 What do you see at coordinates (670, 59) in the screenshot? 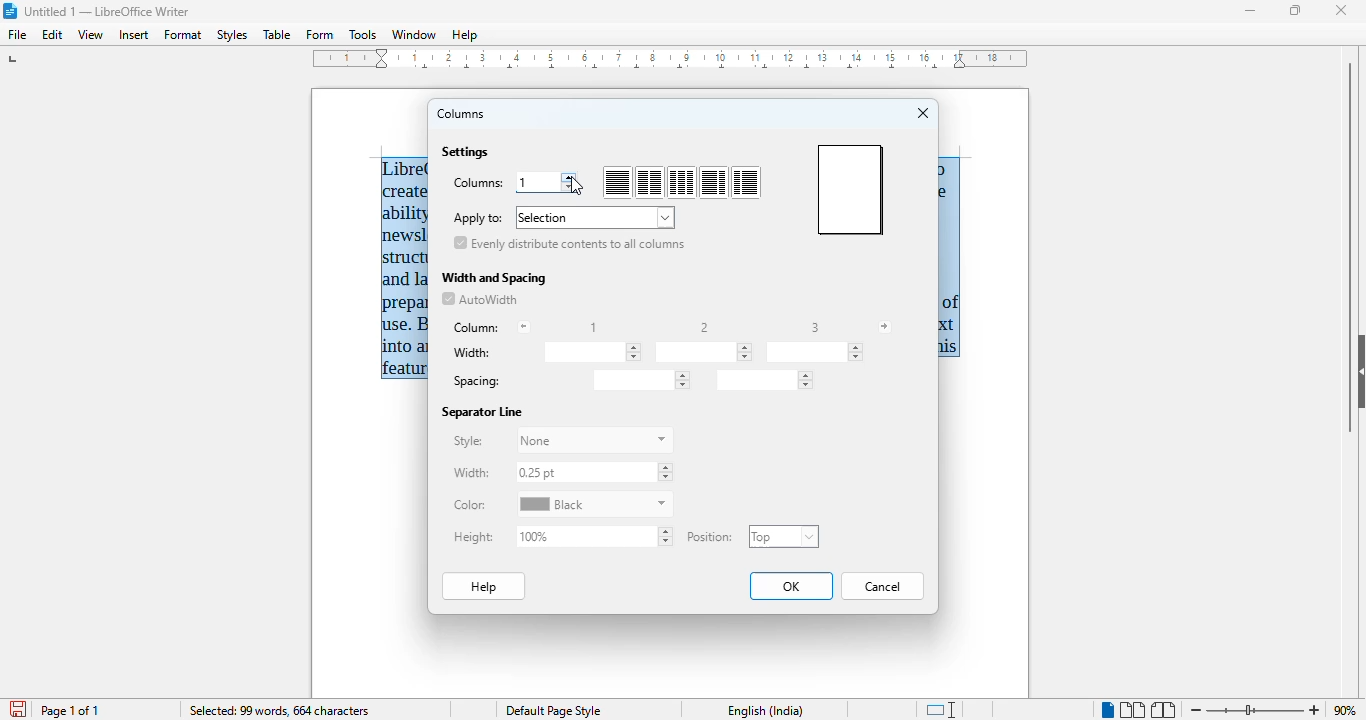
I see `ruler` at bounding box center [670, 59].